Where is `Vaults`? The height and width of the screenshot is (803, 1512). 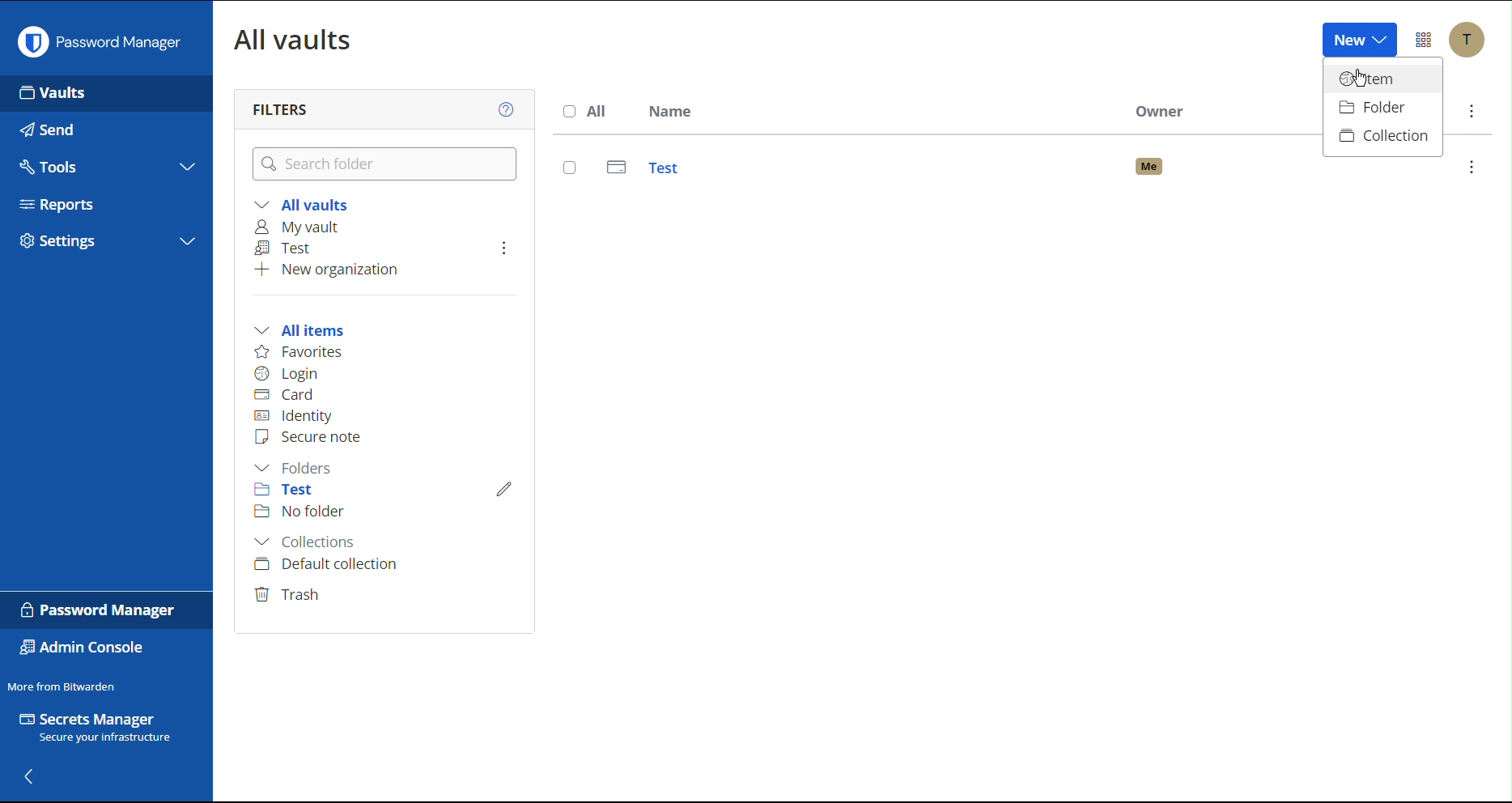
Vaults is located at coordinates (104, 93).